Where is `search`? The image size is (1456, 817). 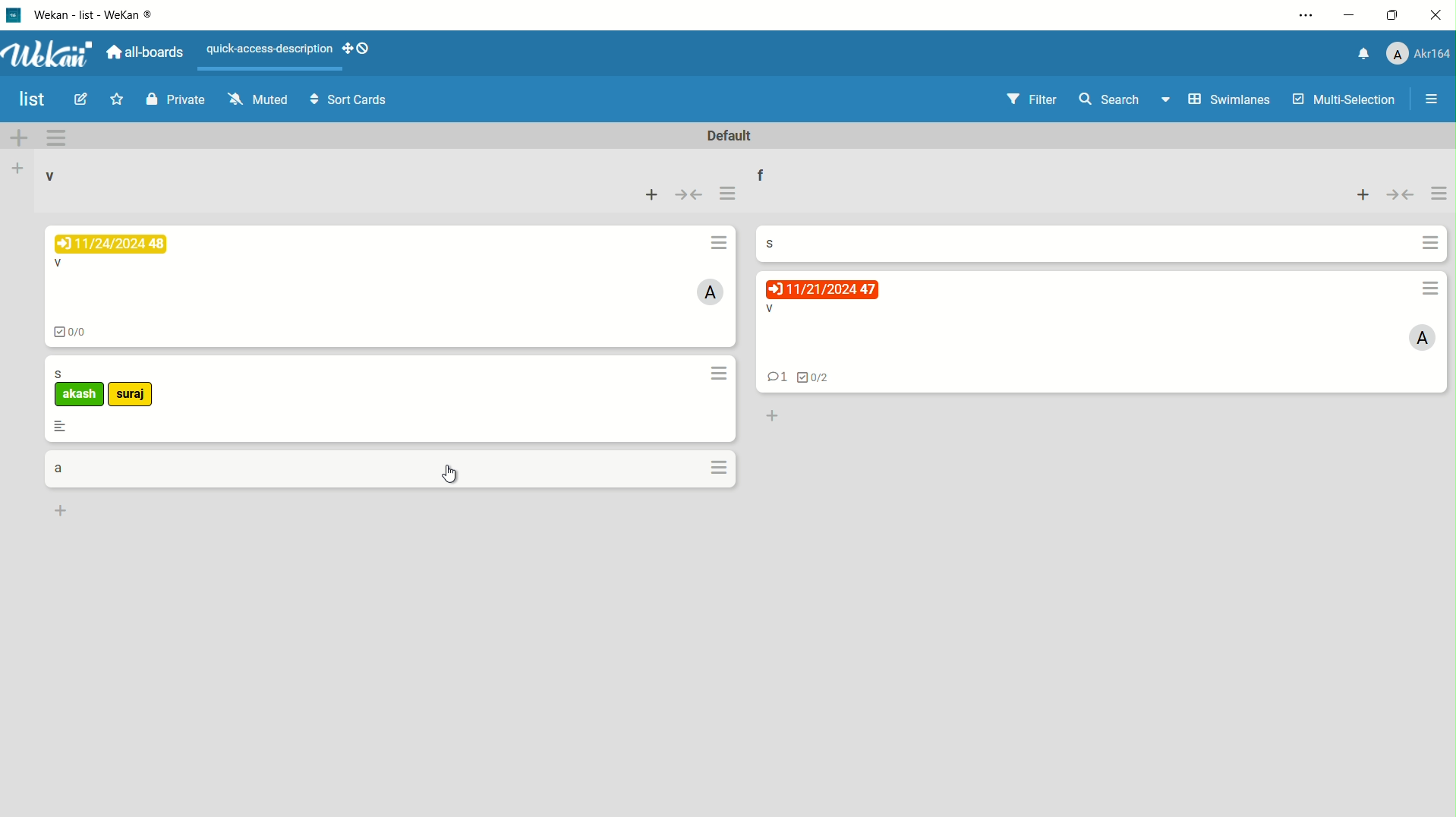
search is located at coordinates (1111, 99).